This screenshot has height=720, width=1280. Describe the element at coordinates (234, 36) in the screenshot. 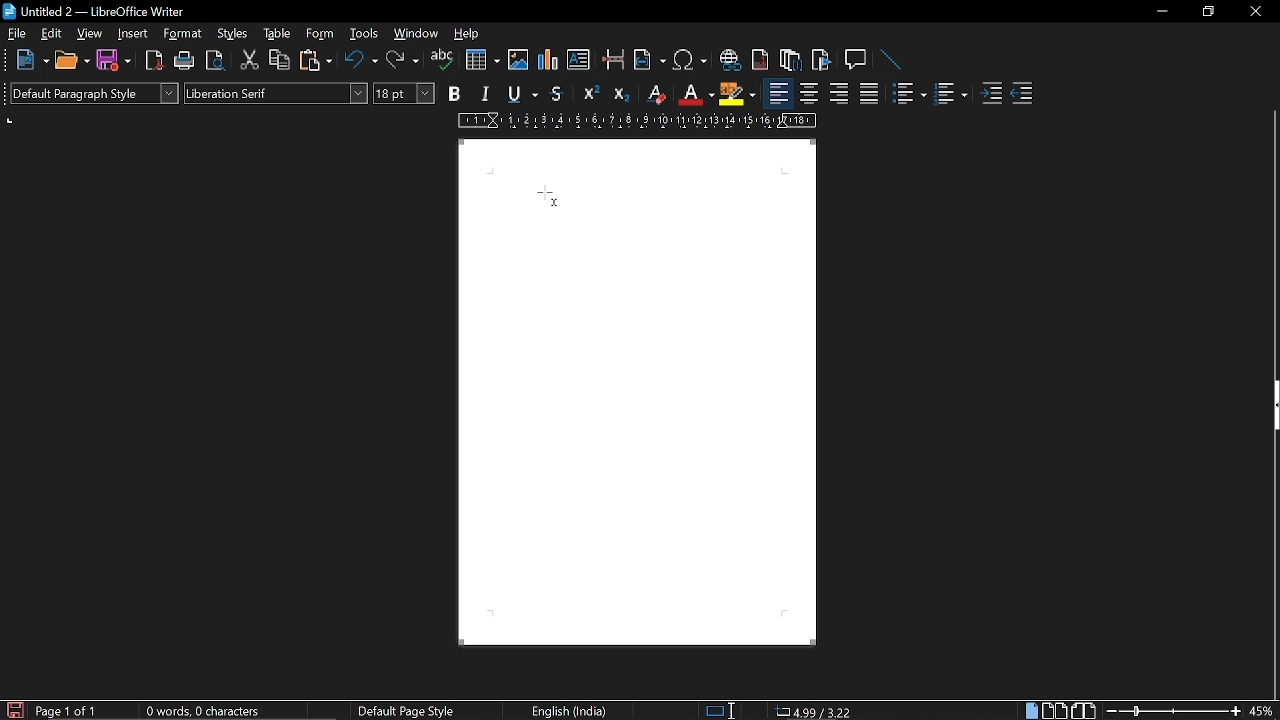

I see `styles` at that location.